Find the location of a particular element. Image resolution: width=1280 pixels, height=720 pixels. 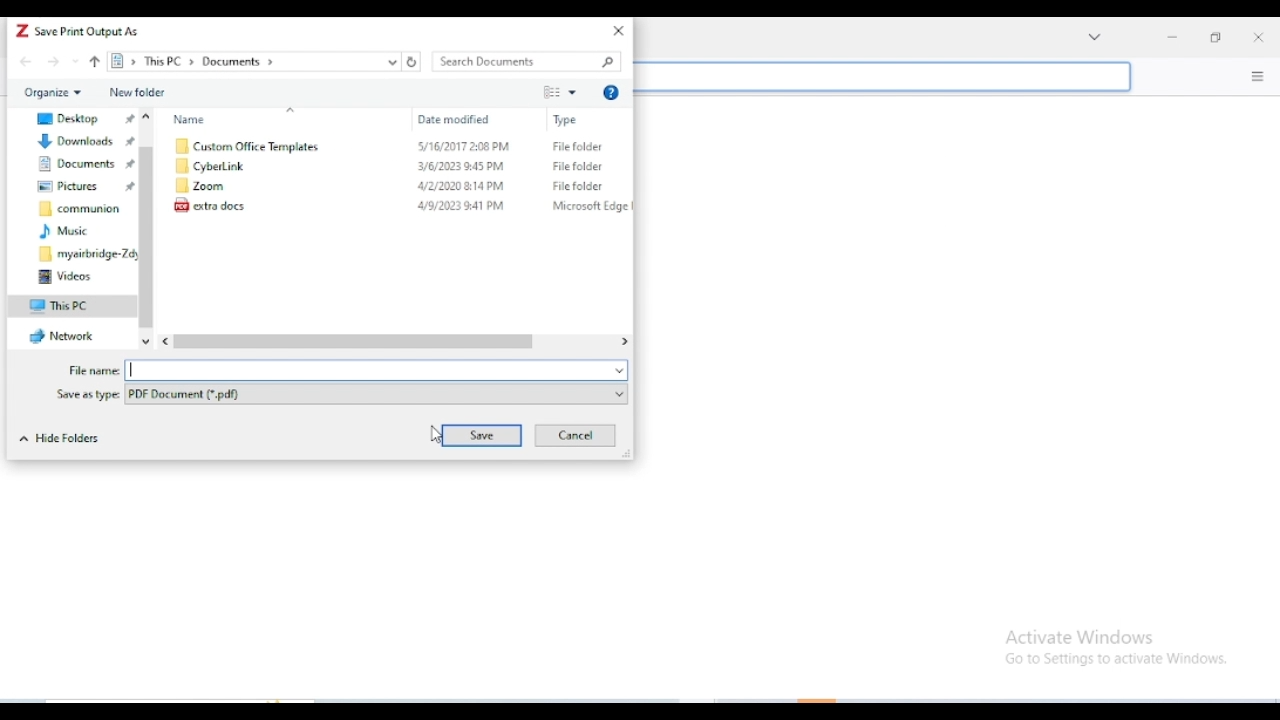

File folder is located at coordinates (581, 147).